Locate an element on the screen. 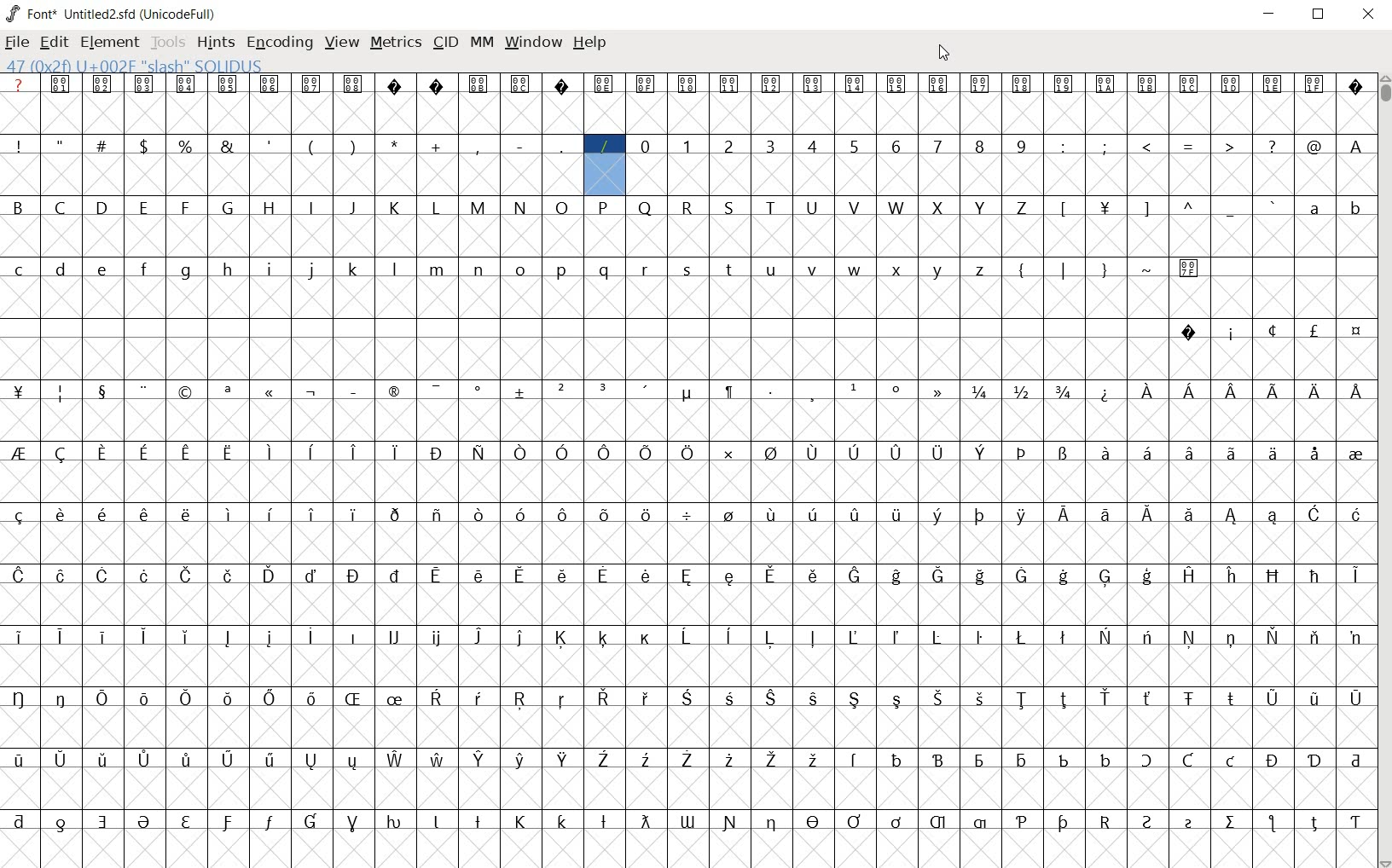 The width and height of the screenshot is (1392, 868). glyph is located at coordinates (478, 637).